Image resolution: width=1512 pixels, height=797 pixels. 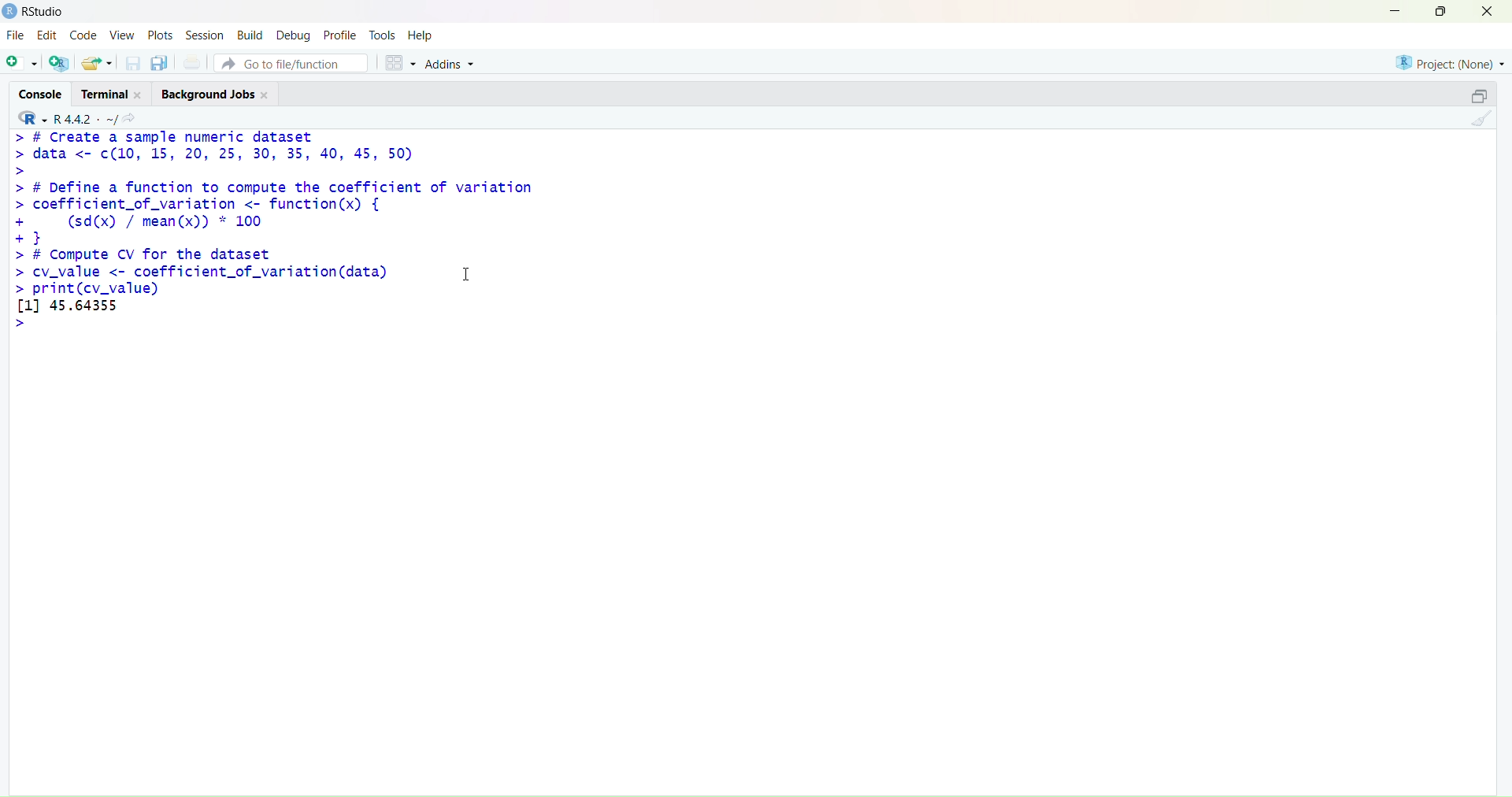 I want to click on file, so click(x=14, y=35).